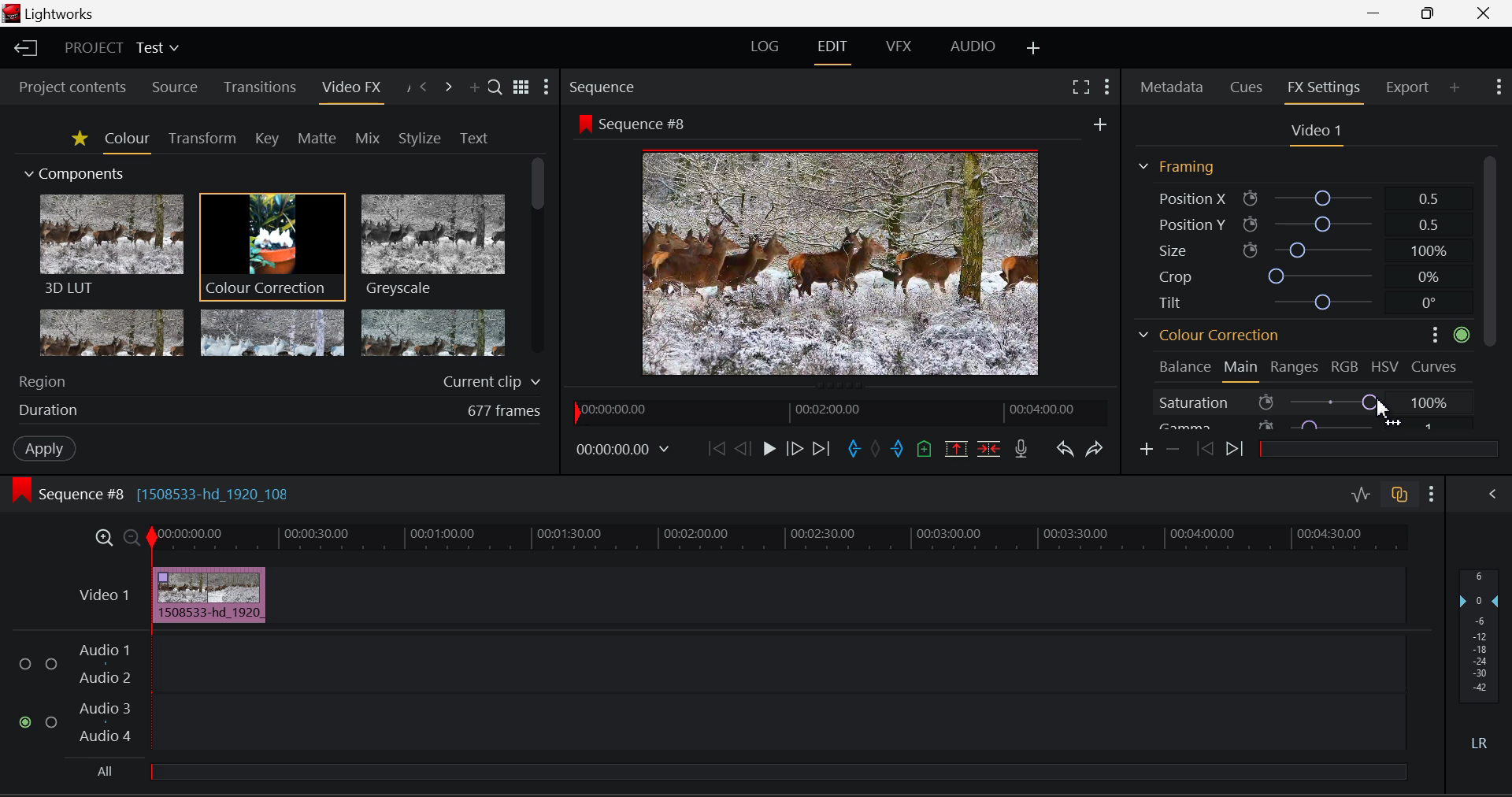  Describe the element at coordinates (1184, 366) in the screenshot. I see `Balance` at that location.